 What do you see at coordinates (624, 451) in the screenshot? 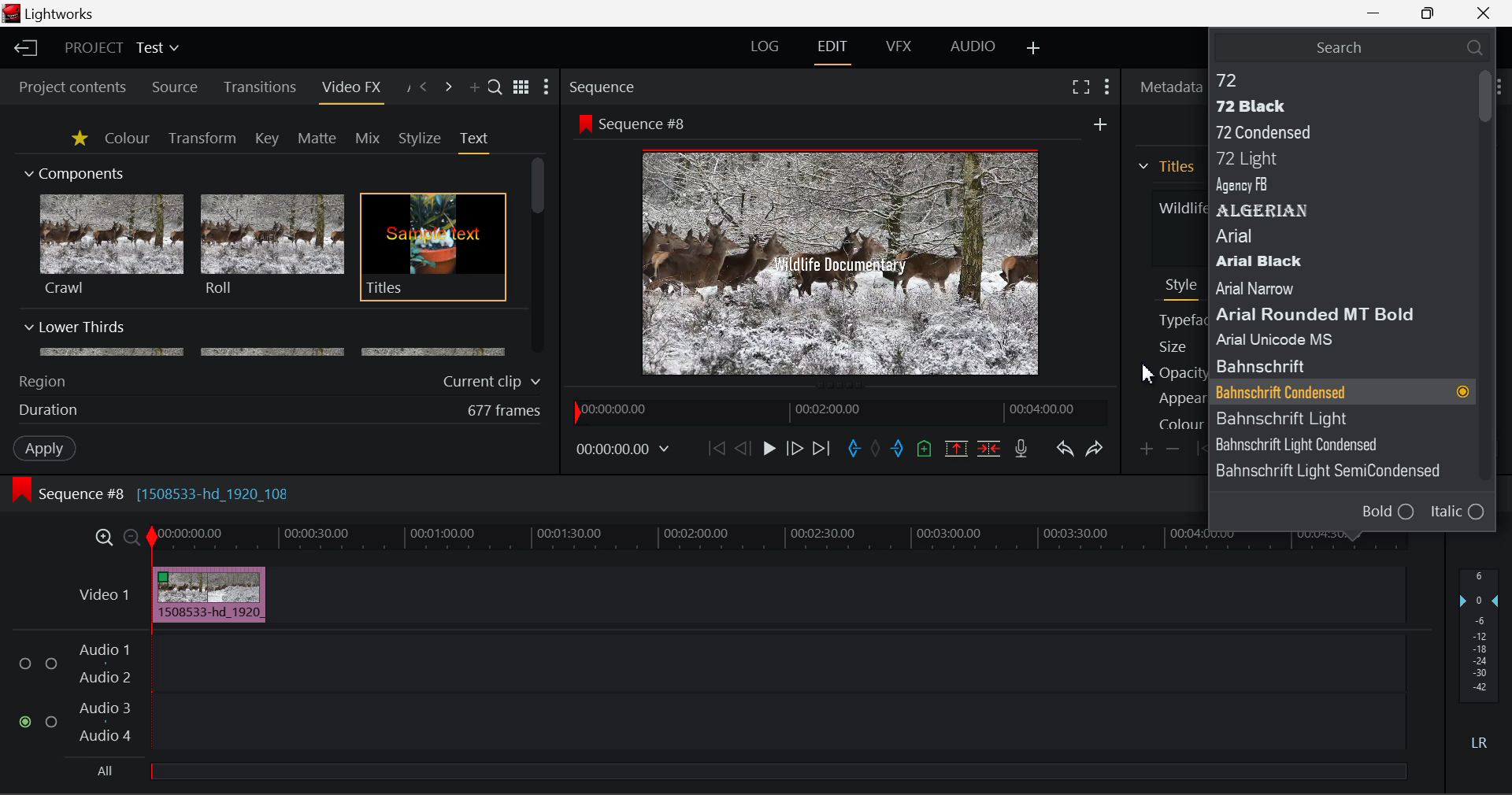
I see `Frame Time` at bounding box center [624, 451].